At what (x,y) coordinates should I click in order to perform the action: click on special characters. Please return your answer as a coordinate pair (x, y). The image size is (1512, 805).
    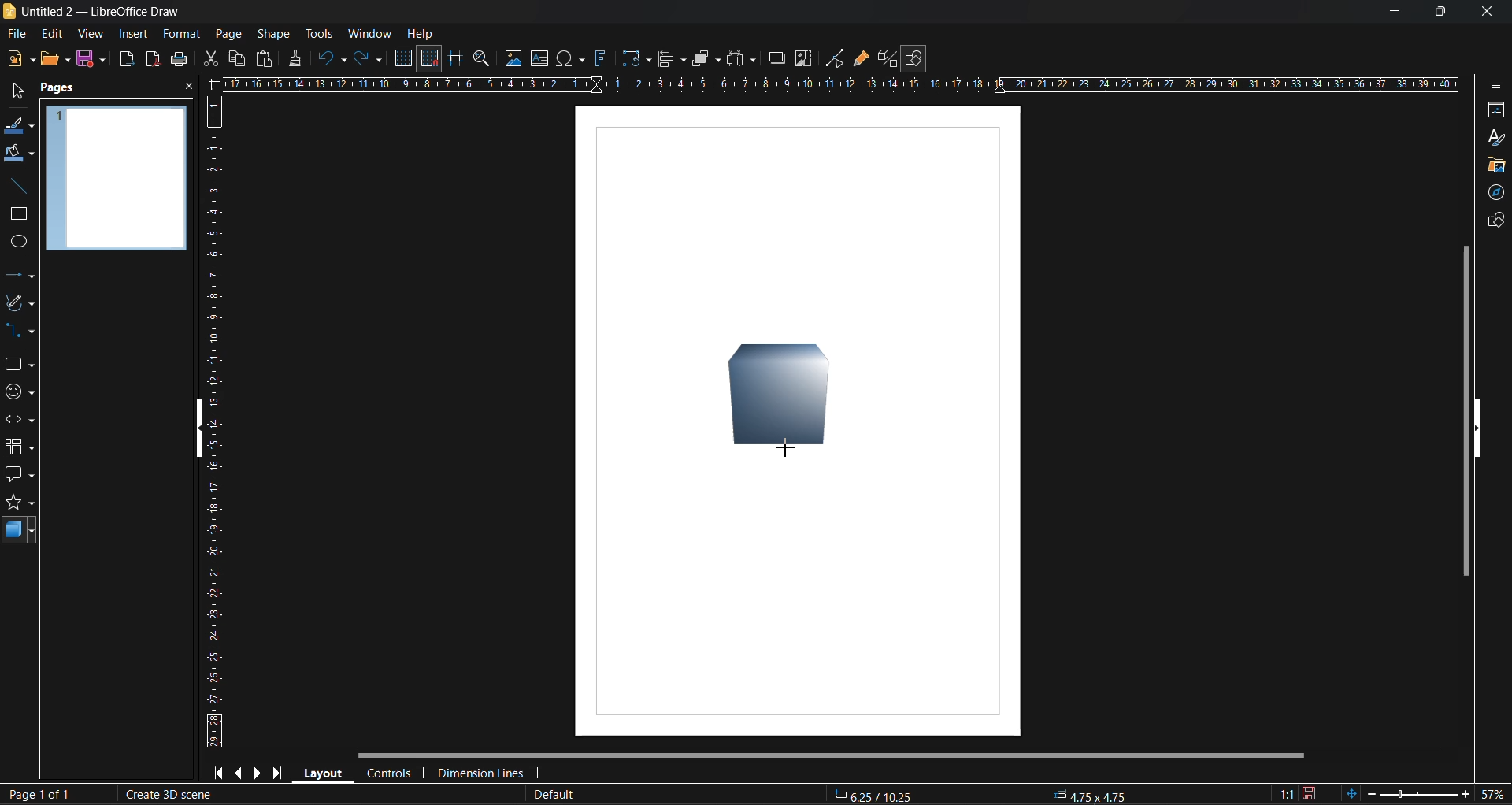
    Looking at the image, I should click on (574, 59).